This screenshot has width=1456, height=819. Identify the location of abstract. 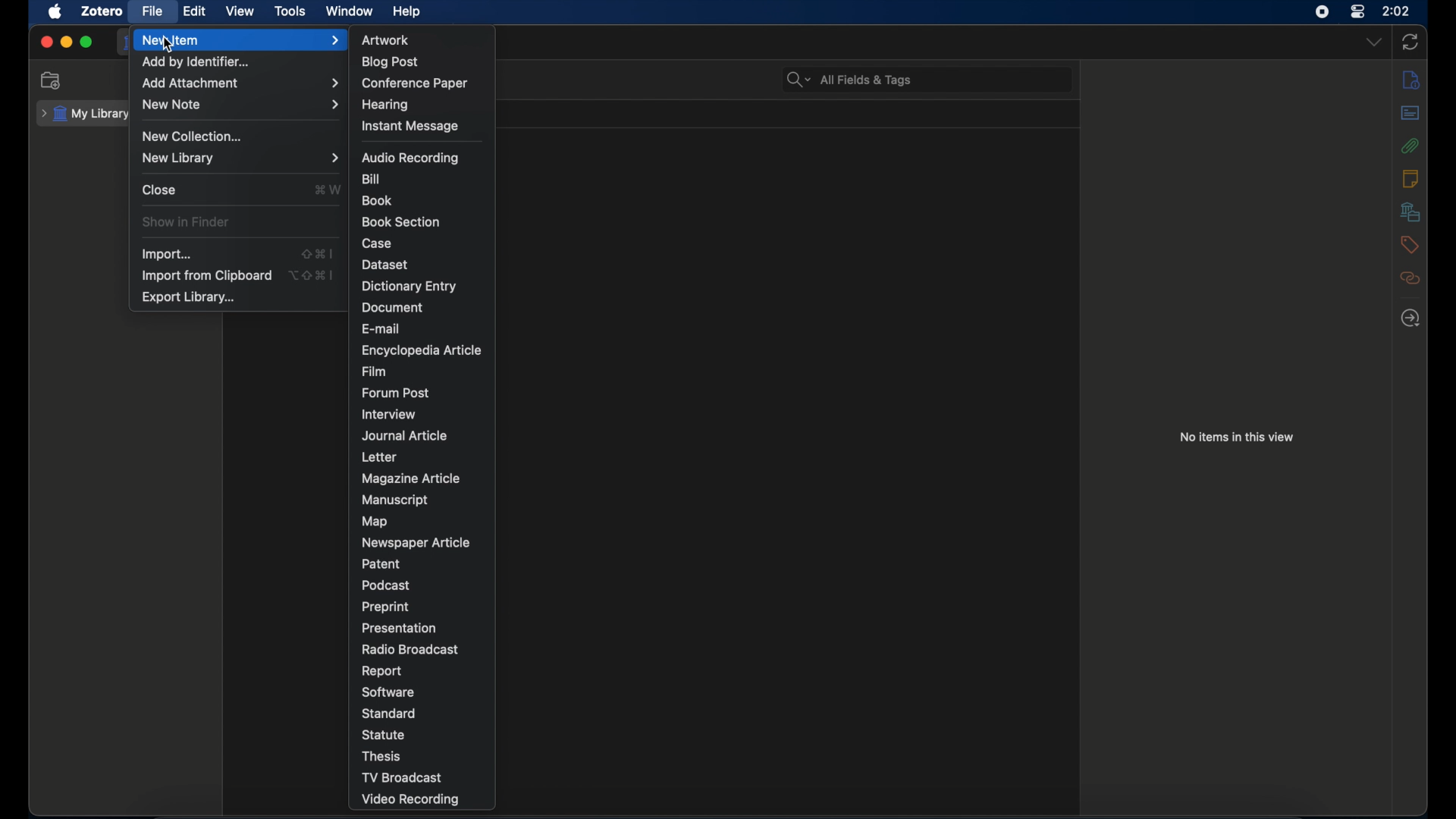
(1410, 112).